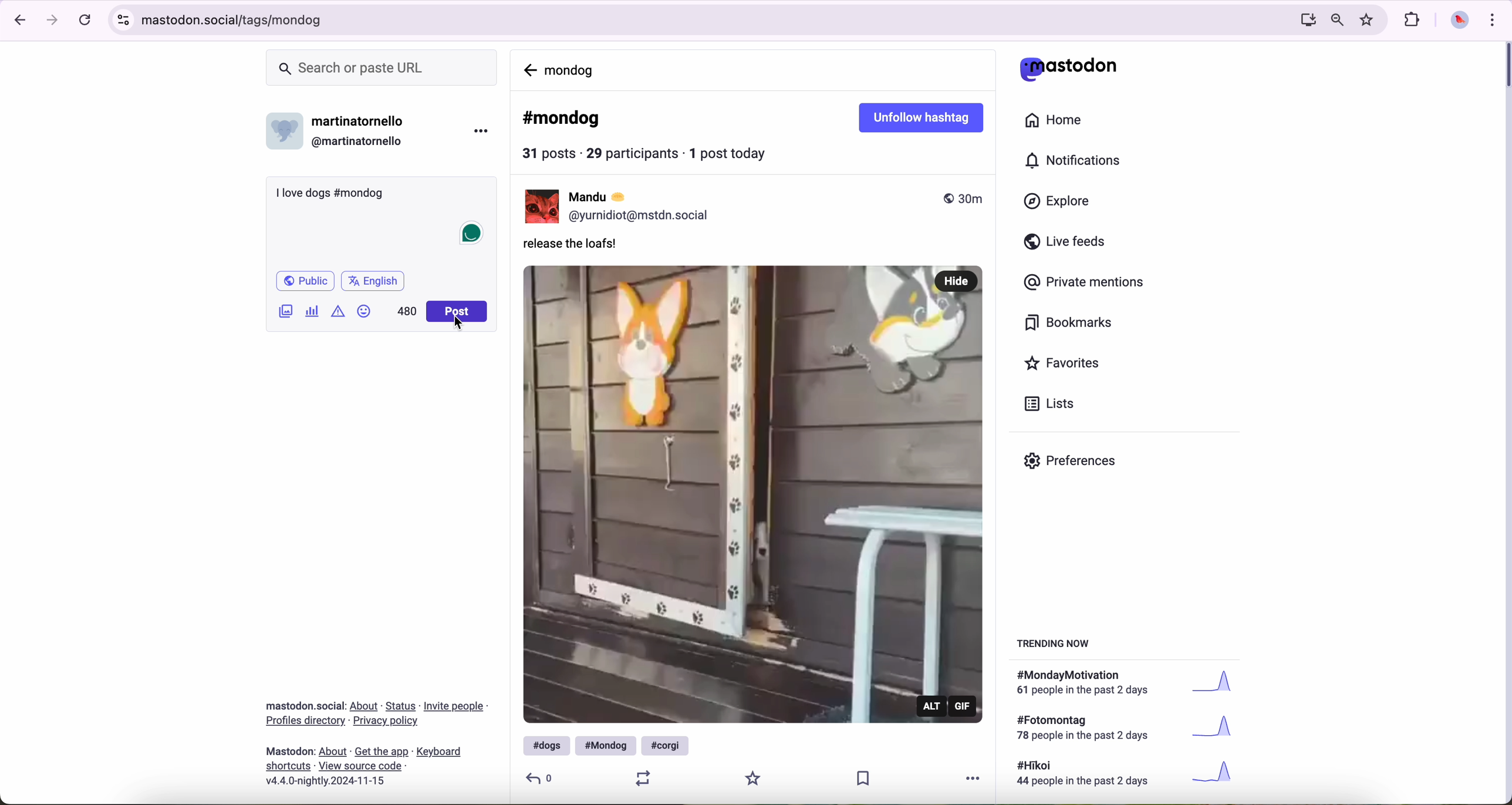  What do you see at coordinates (1067, 242) in the screenshot?
I see `live feeds` at bounding box center [1067, 242].